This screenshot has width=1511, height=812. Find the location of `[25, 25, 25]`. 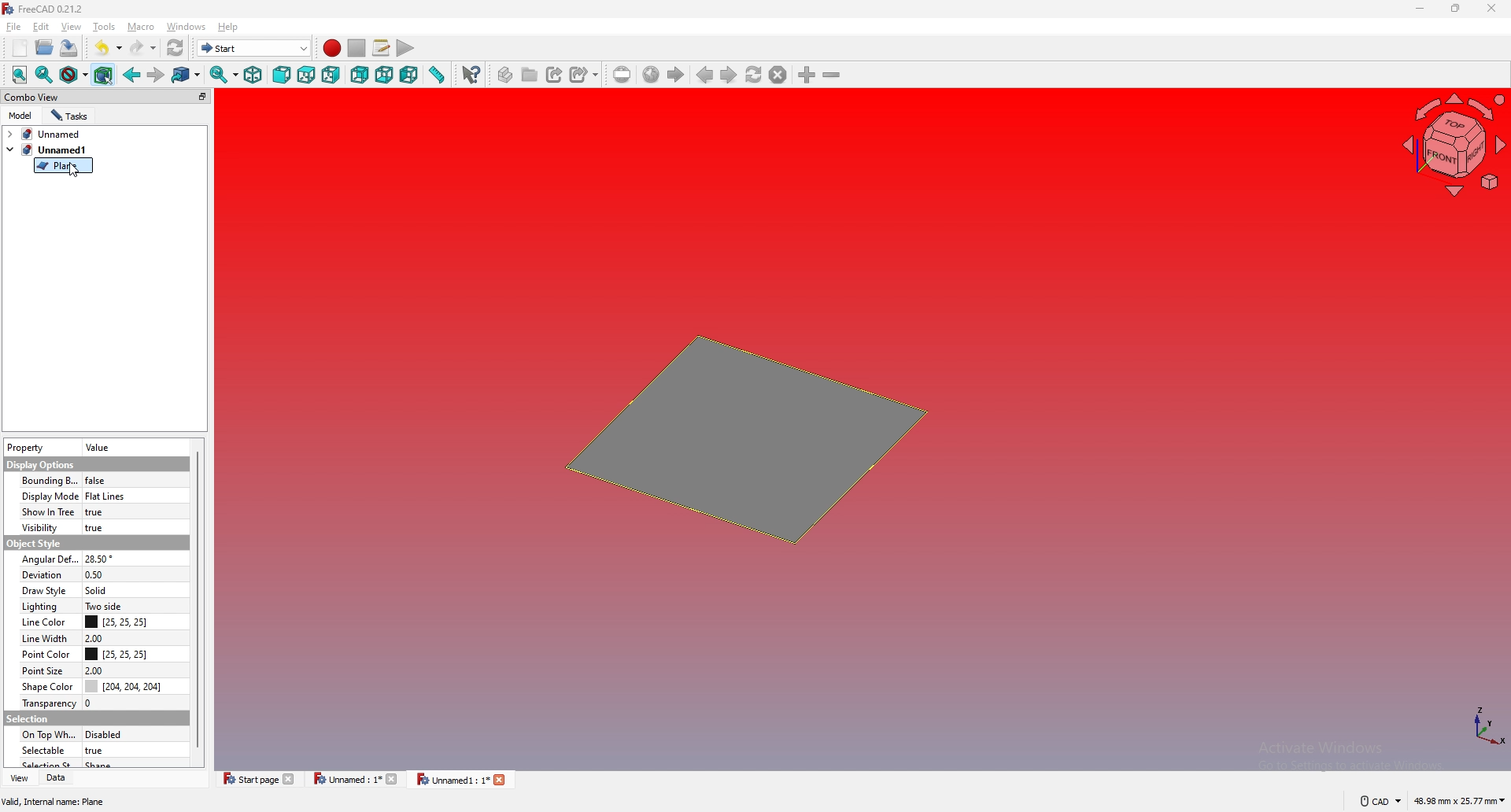

[25, 25, 25] is located at coordinates (120, 654).